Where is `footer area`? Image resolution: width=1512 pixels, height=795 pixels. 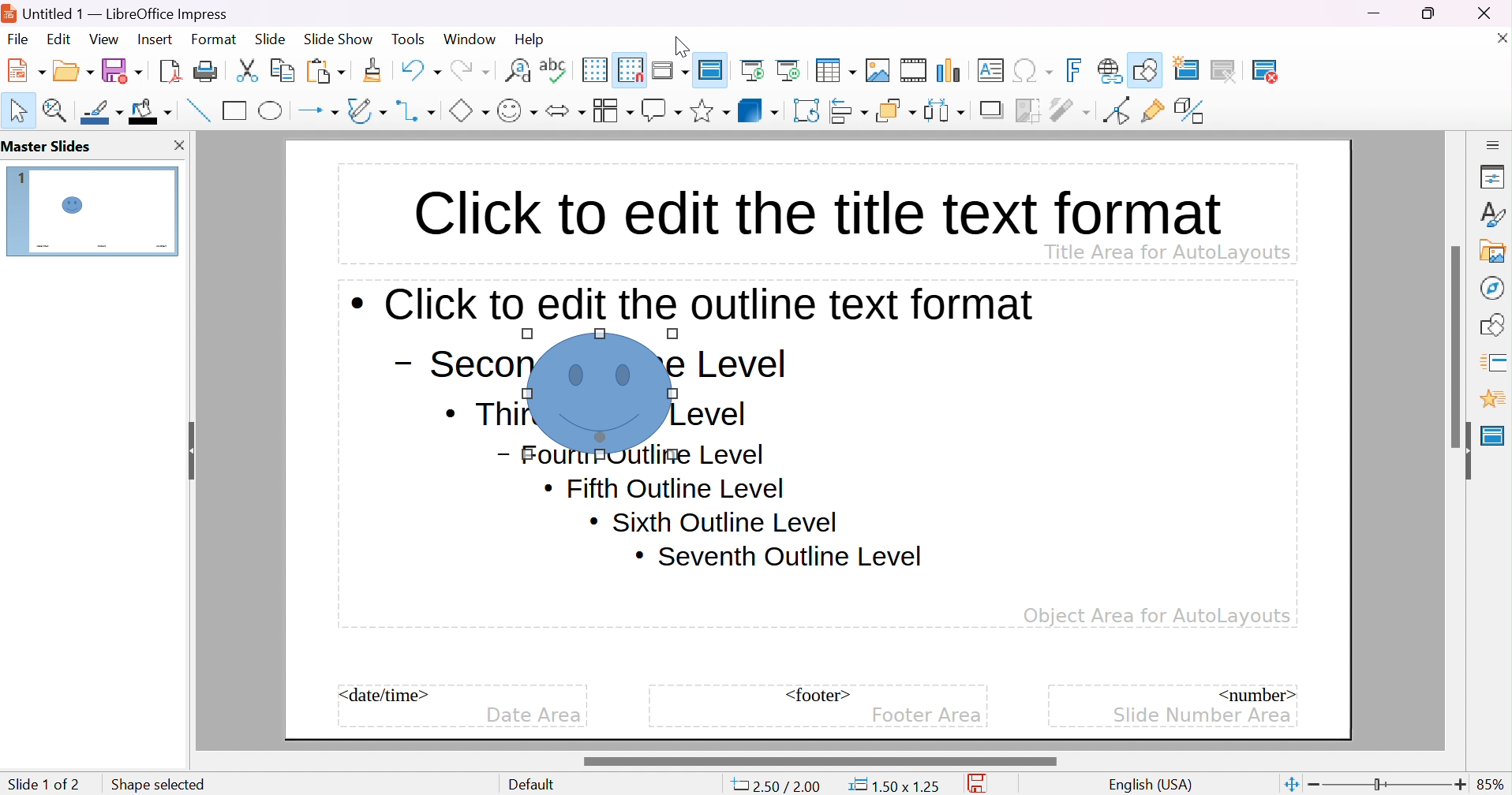 footer area is located at coordinates (926, 715).